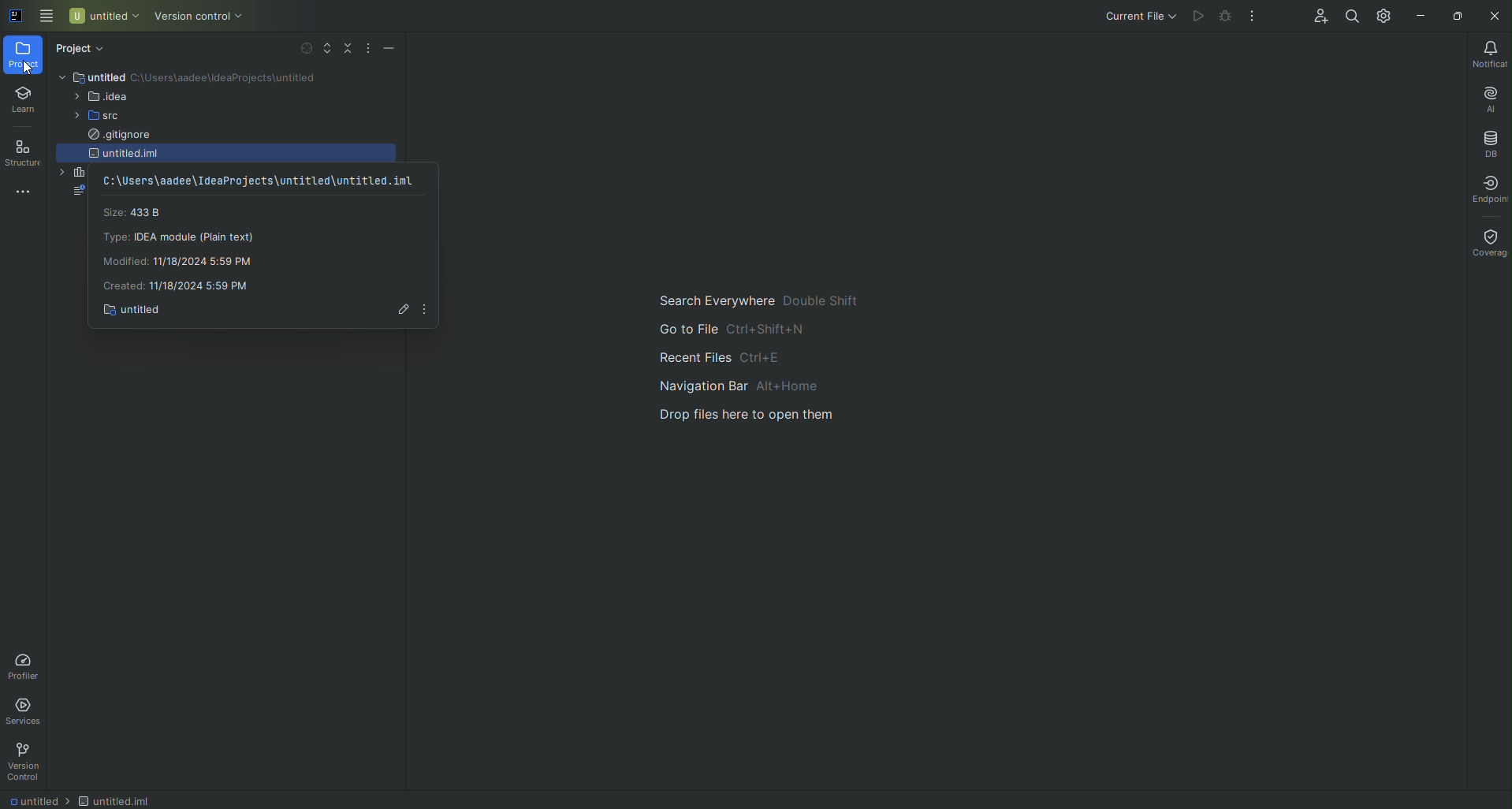 Image resolution: width=1512 pixels, height=809 pixels. What do you see at coordinates (29, 763) in the screenshot?
I see `Version Control` at bounding box center [29, 763].